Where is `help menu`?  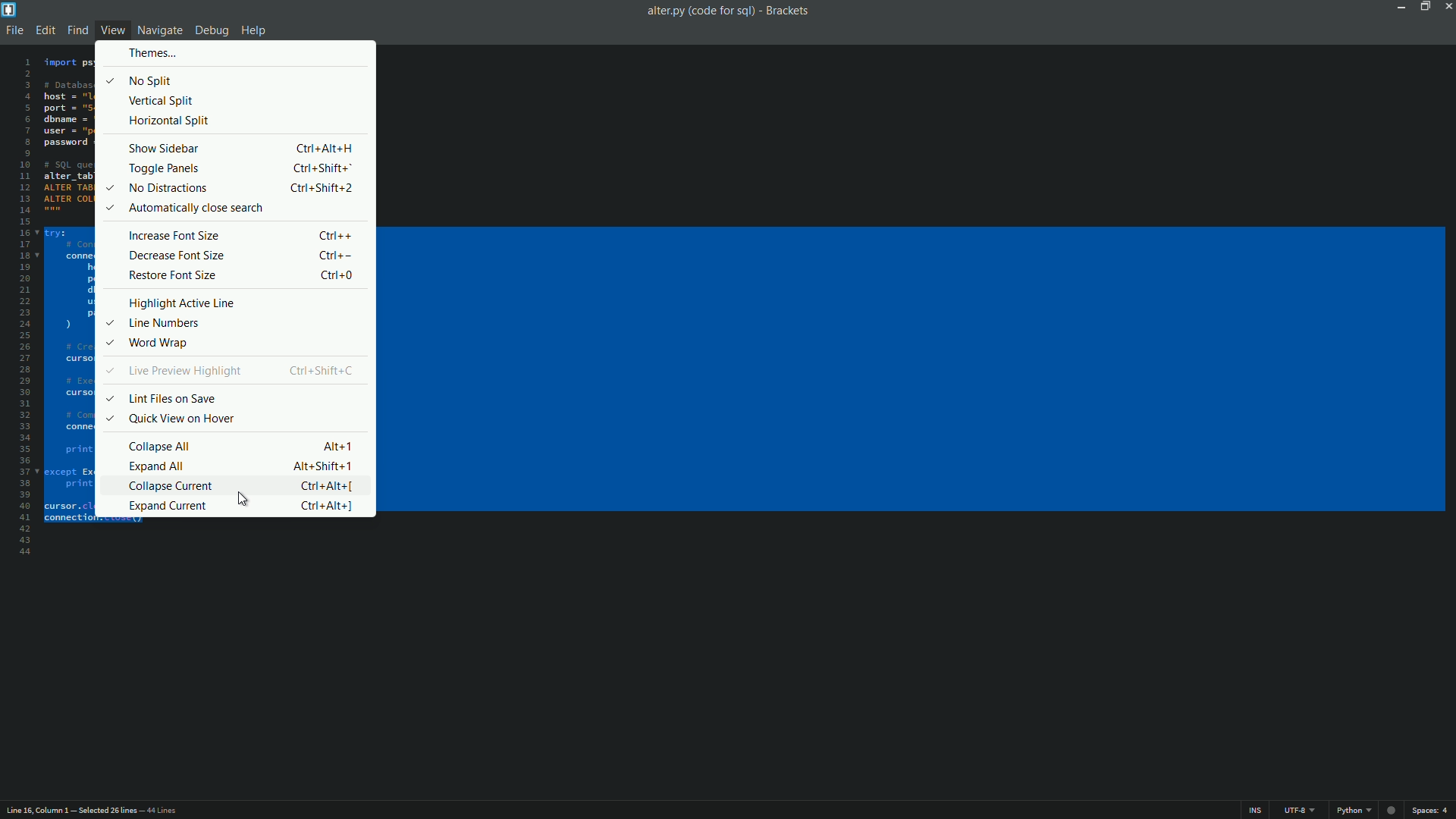
help menu is located at coordinates (254, 30).